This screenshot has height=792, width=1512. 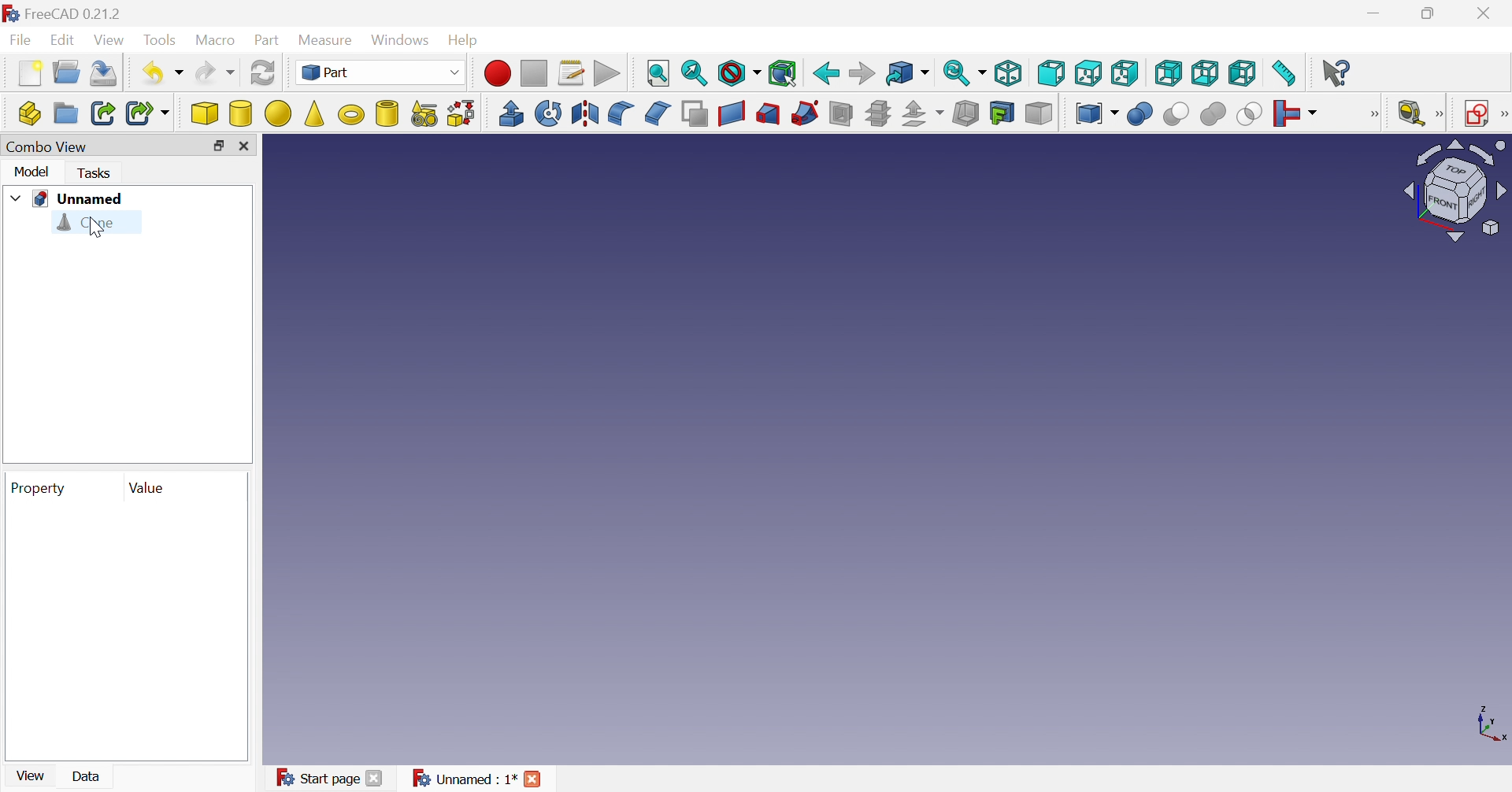 I want to click on Chamfer, so click(x=658, y=113).